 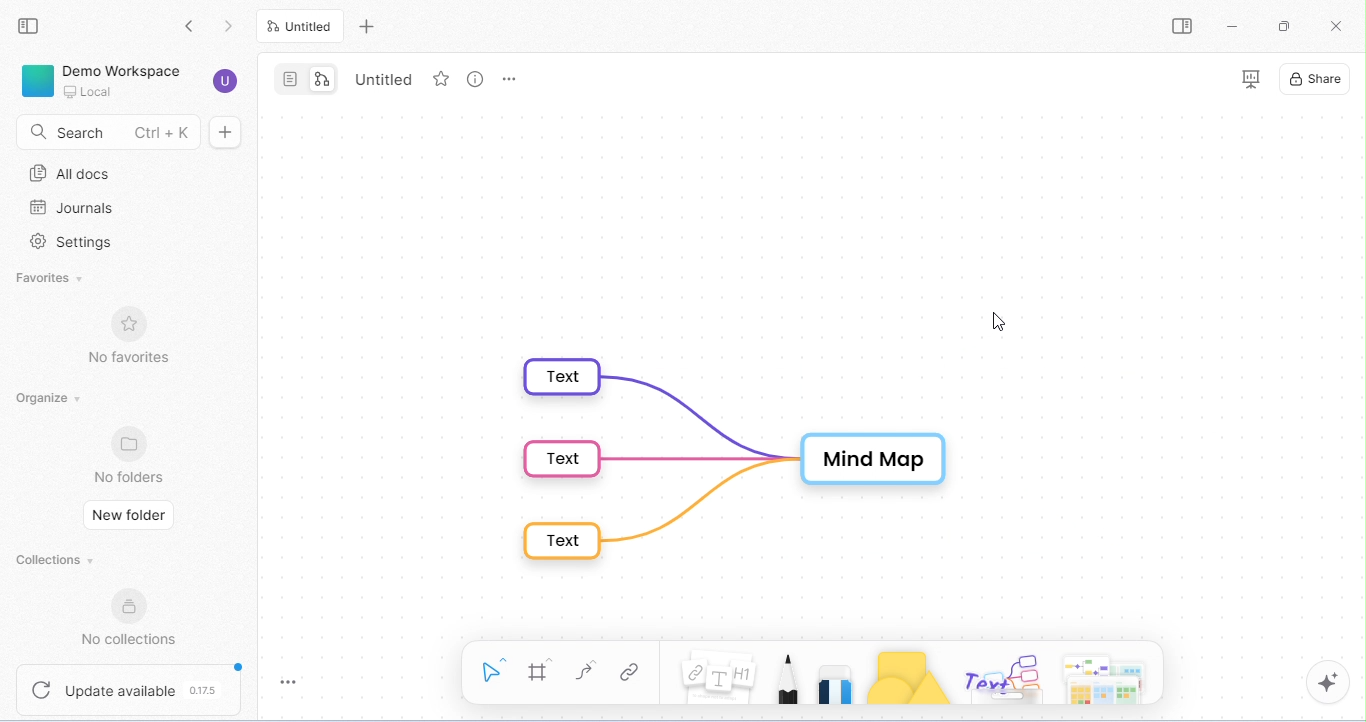 What do you see at coordinates (129, 517) in the screenshot?
I see `new folder` at bounding box center [129, 517].